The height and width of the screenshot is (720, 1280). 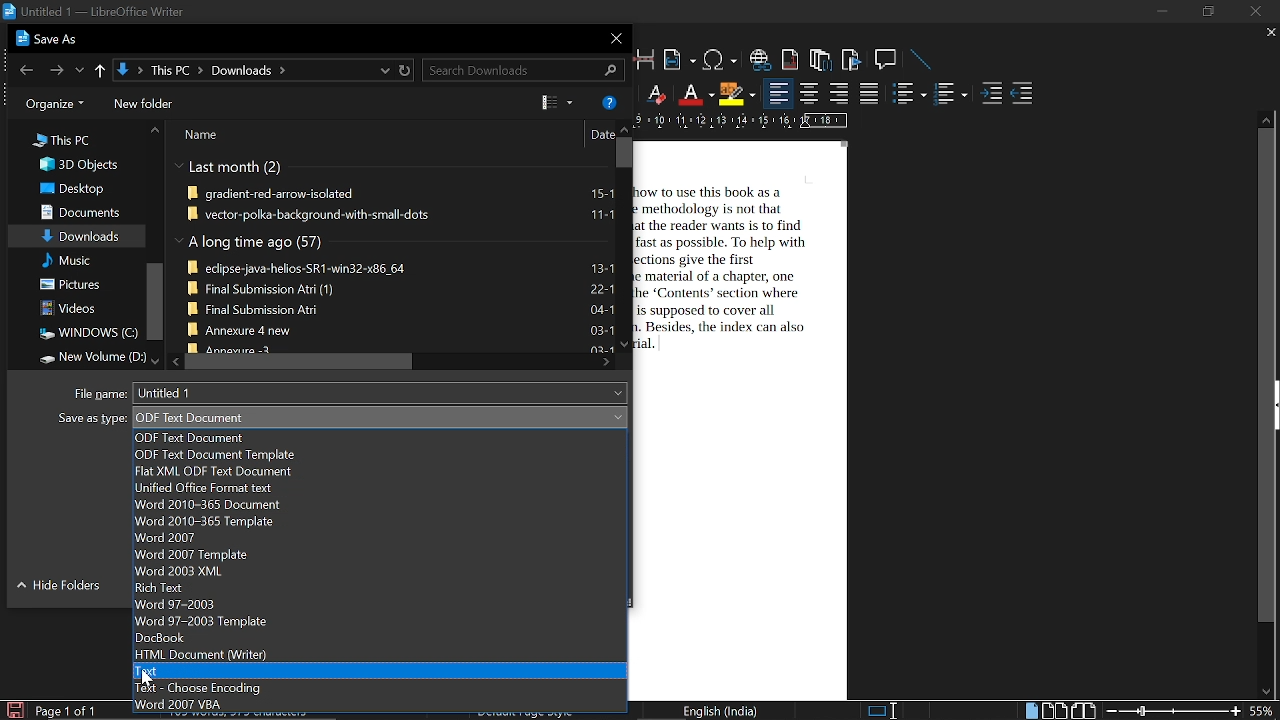 What do you see at coordinates (1266, 119) in the screenshot?
I see `move up` at bounding box center [1266, 119].